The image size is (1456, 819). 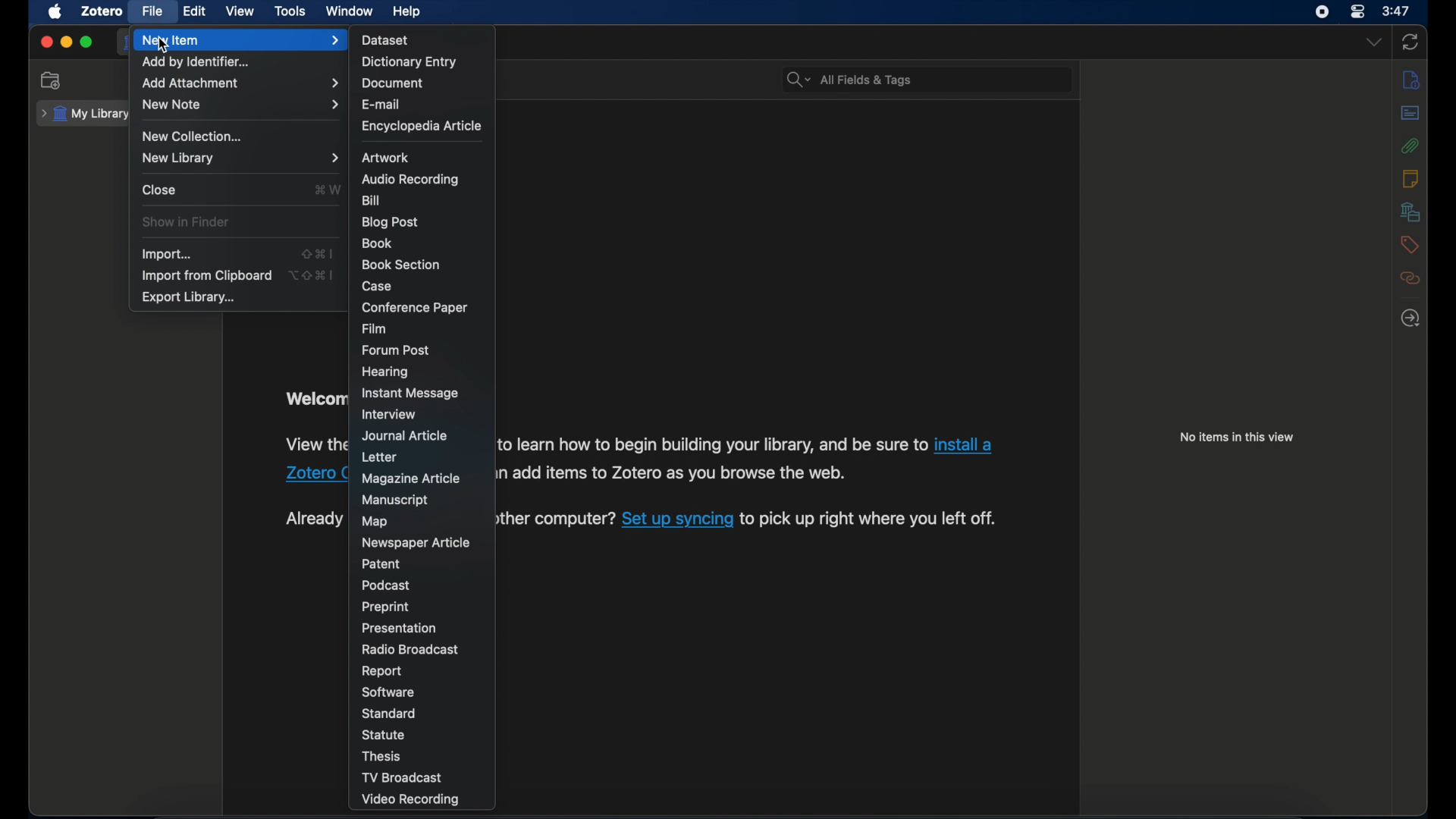 I want to click on forum post, so click(x=397, y=350).